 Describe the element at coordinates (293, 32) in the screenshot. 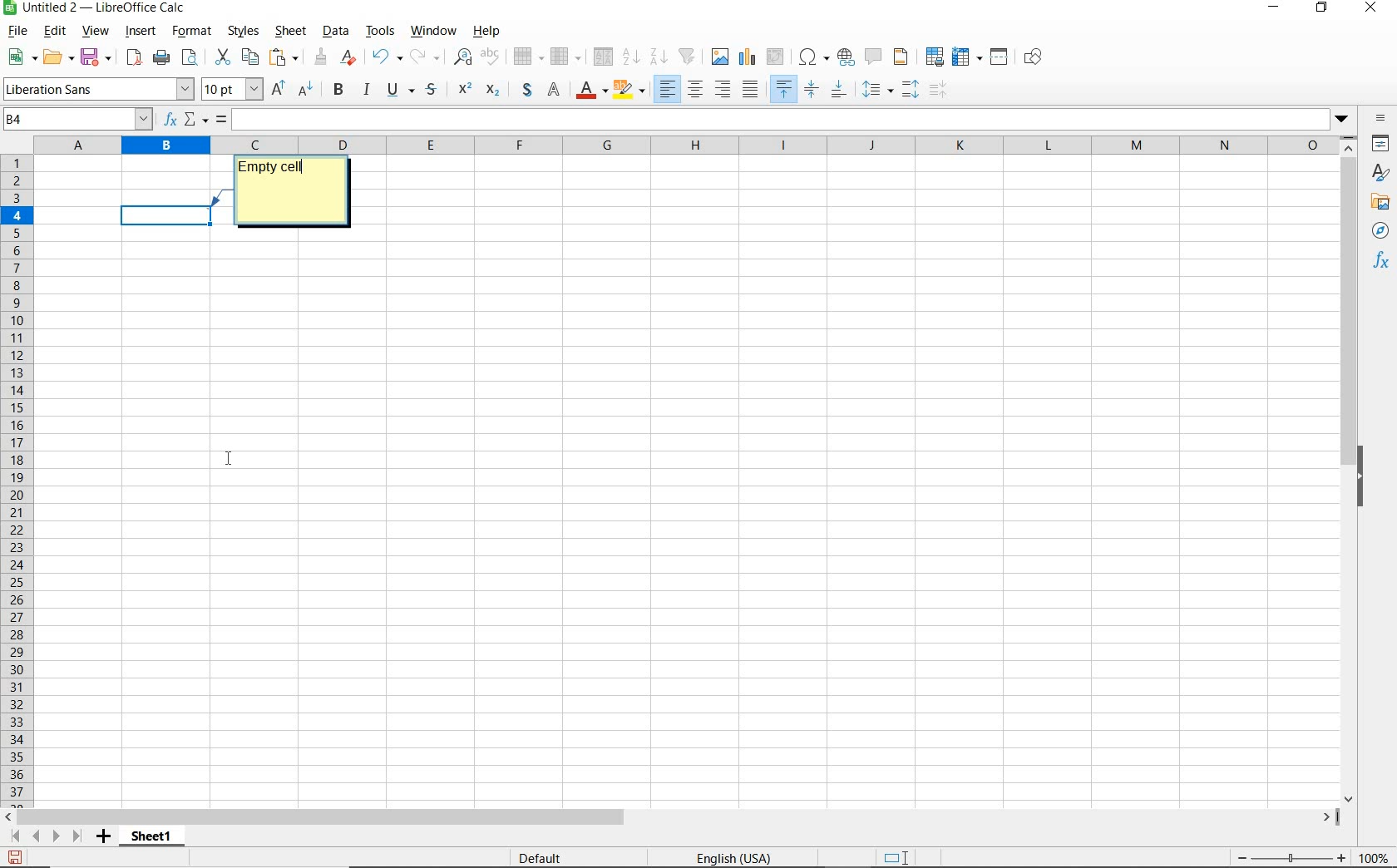

I see `sheet` at that location.